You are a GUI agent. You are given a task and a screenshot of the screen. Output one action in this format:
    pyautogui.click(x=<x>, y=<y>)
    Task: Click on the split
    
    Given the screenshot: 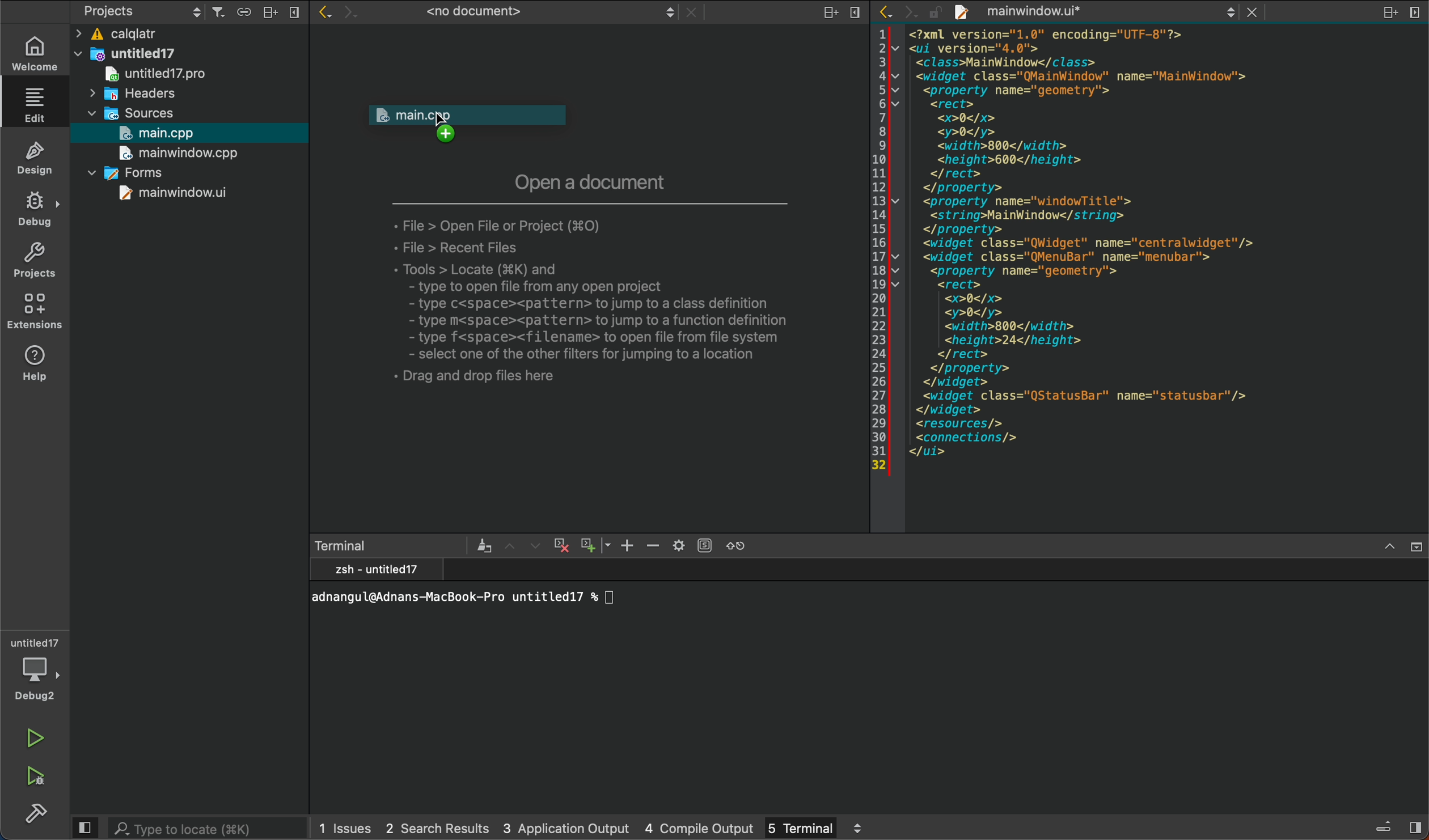 What is the action you would take?
    pyautogui.click(x=1389, y=14)
    